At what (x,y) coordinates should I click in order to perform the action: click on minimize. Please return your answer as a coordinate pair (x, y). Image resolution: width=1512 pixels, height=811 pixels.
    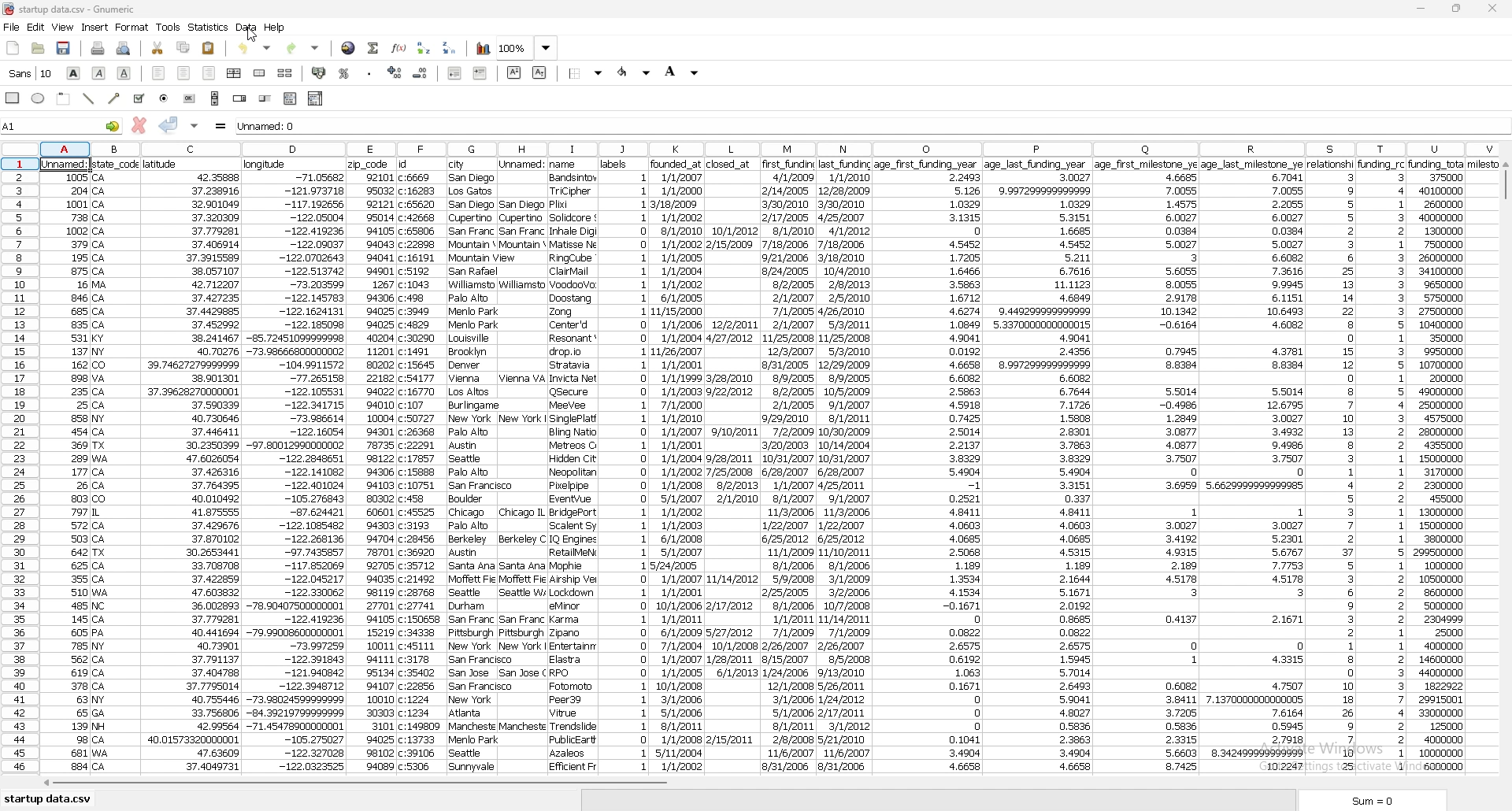
    Looking at the image, I should click on (1421, 9).